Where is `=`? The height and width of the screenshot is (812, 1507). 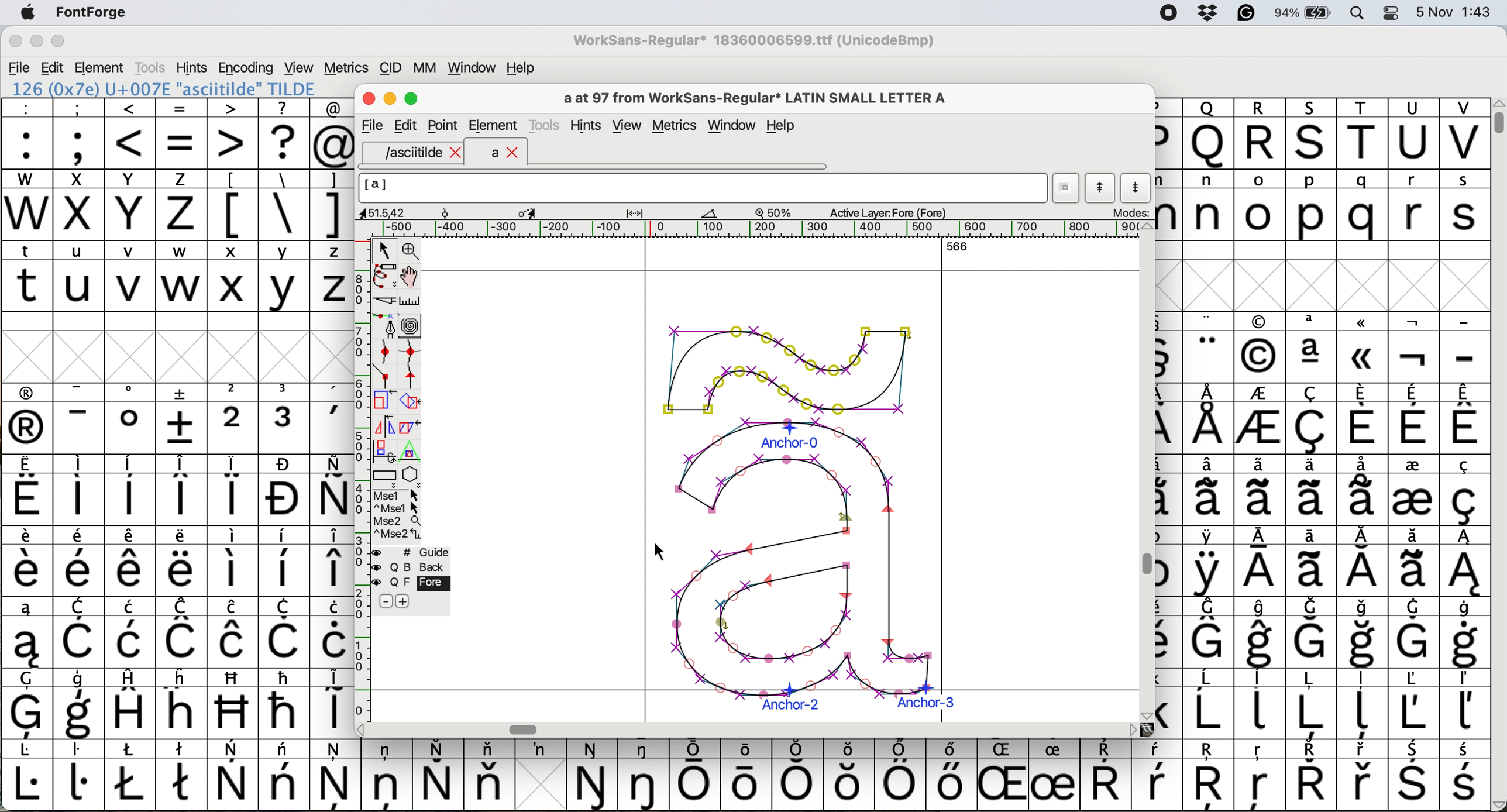
= is located at coordinates (183, 134).